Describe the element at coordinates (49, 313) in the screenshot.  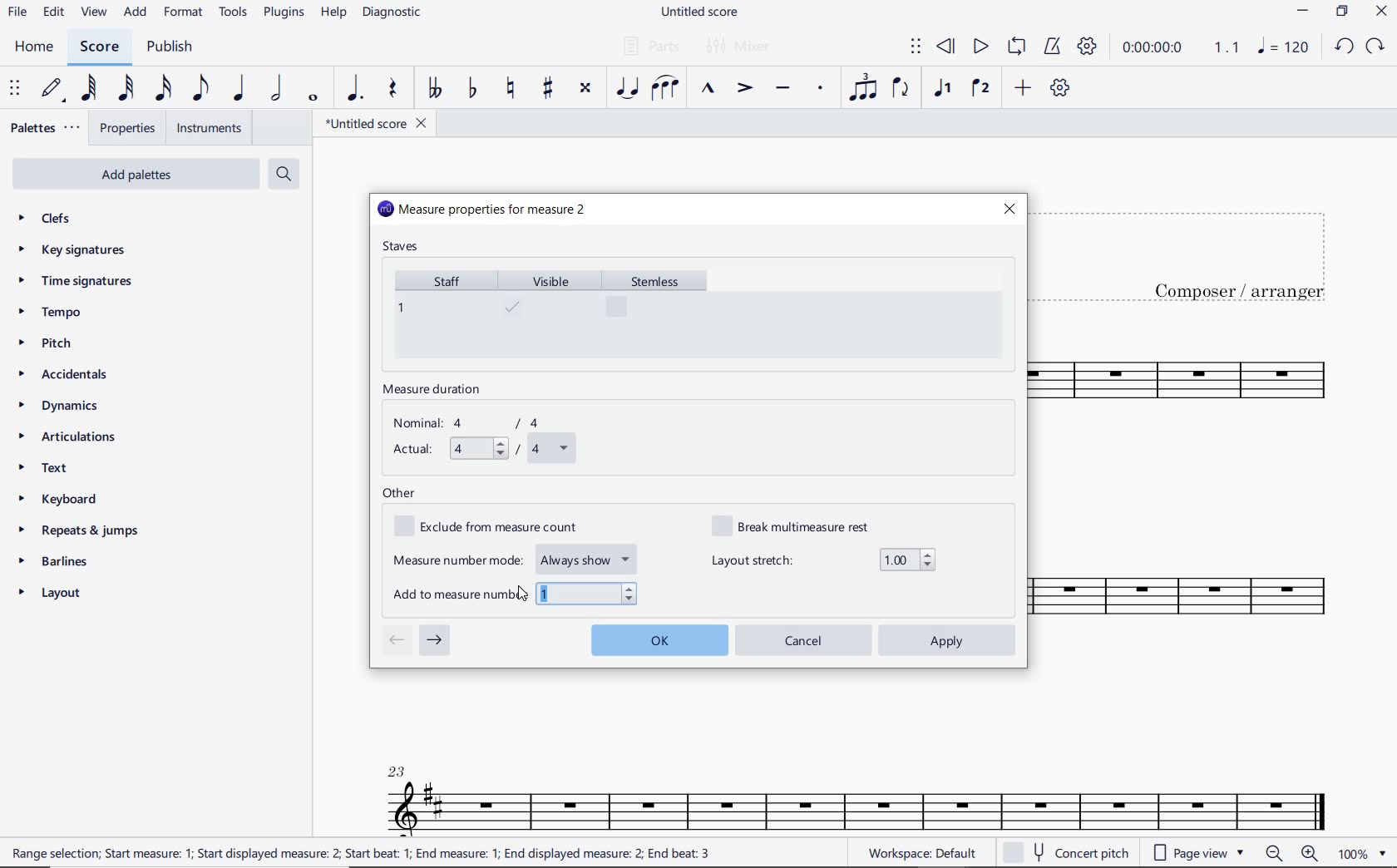
I see `TEMPO` at that location.